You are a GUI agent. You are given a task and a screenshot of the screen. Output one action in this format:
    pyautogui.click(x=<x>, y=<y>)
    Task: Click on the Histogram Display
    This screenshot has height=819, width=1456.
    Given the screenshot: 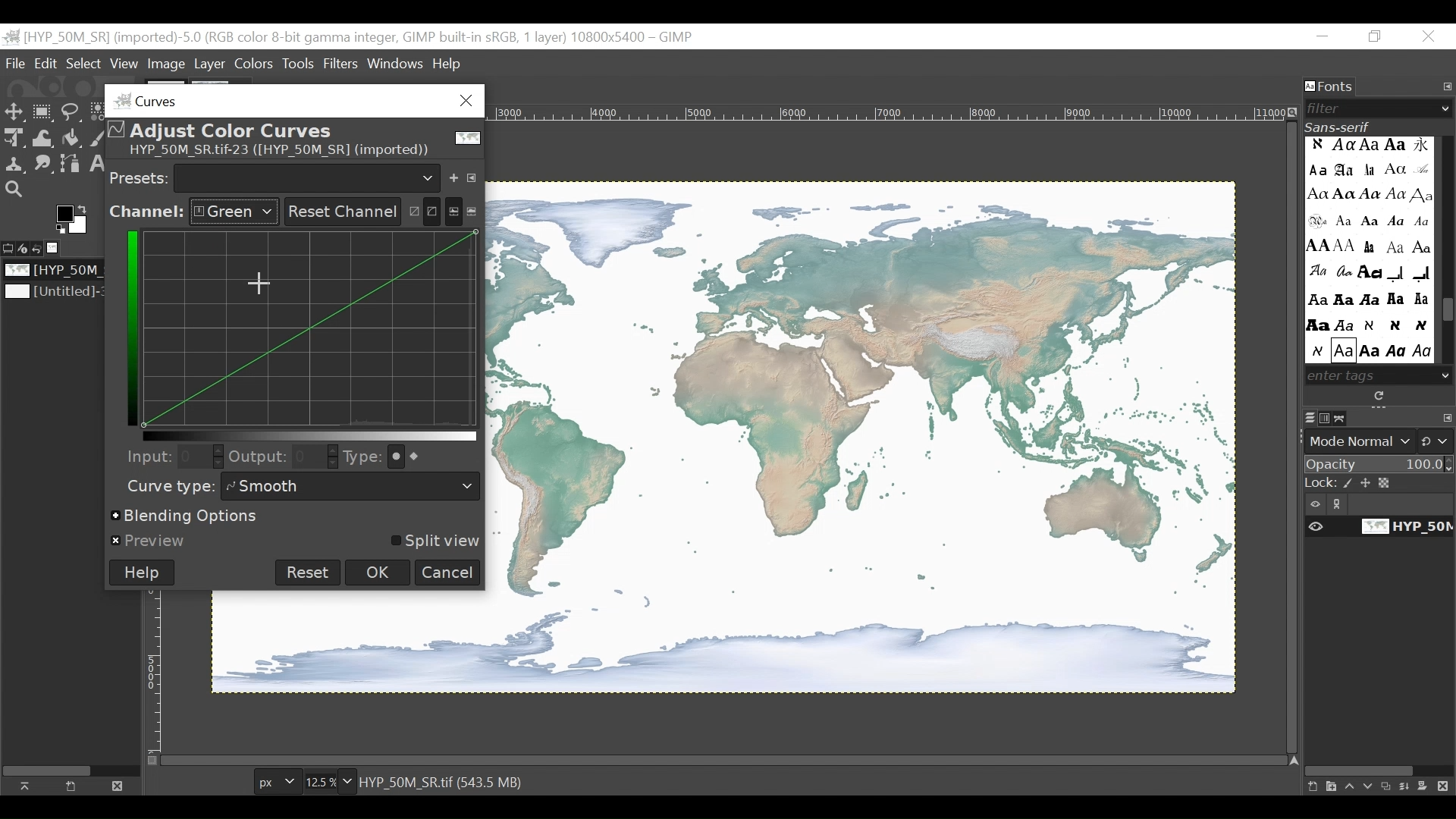 What is the action you would take?
    pyautogui.click(x=313, y=328)
    